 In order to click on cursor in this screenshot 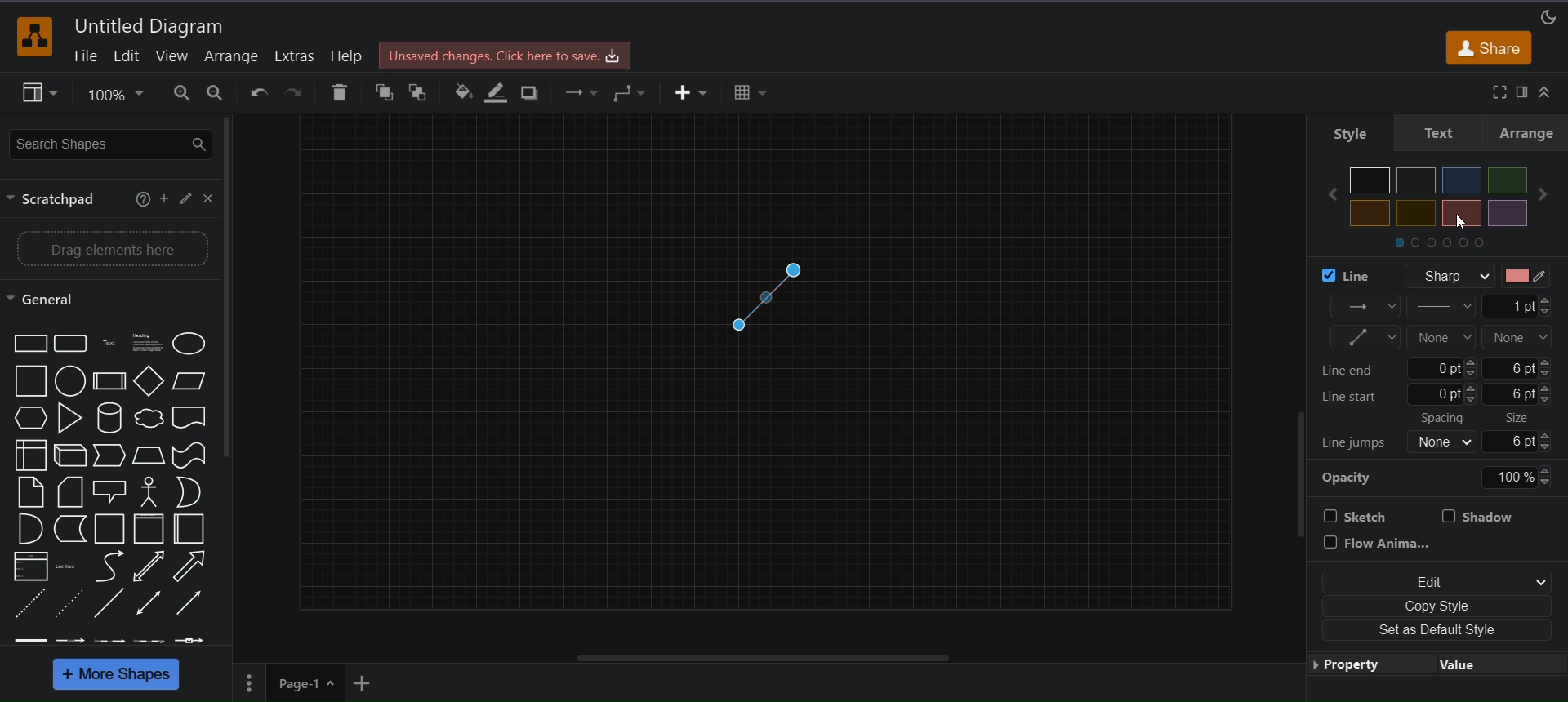, I will do `click(1459, 222)`.